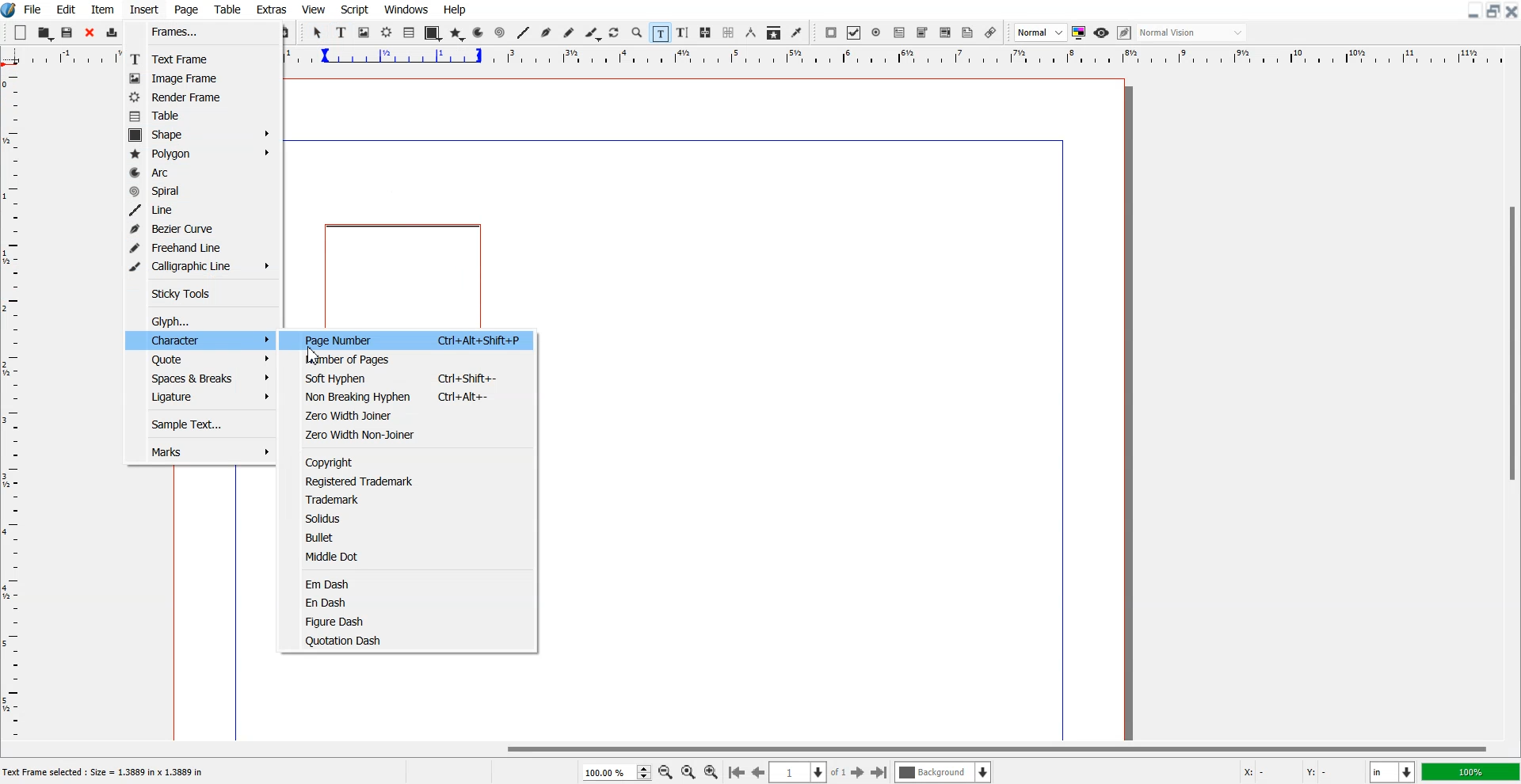 Image resolution: width=1521 pixels, height=784 pixels. What do you see at coordinates (593, 34) in the screenshot?
I see `Calligraphic line ` at bounding box center [593, 34].